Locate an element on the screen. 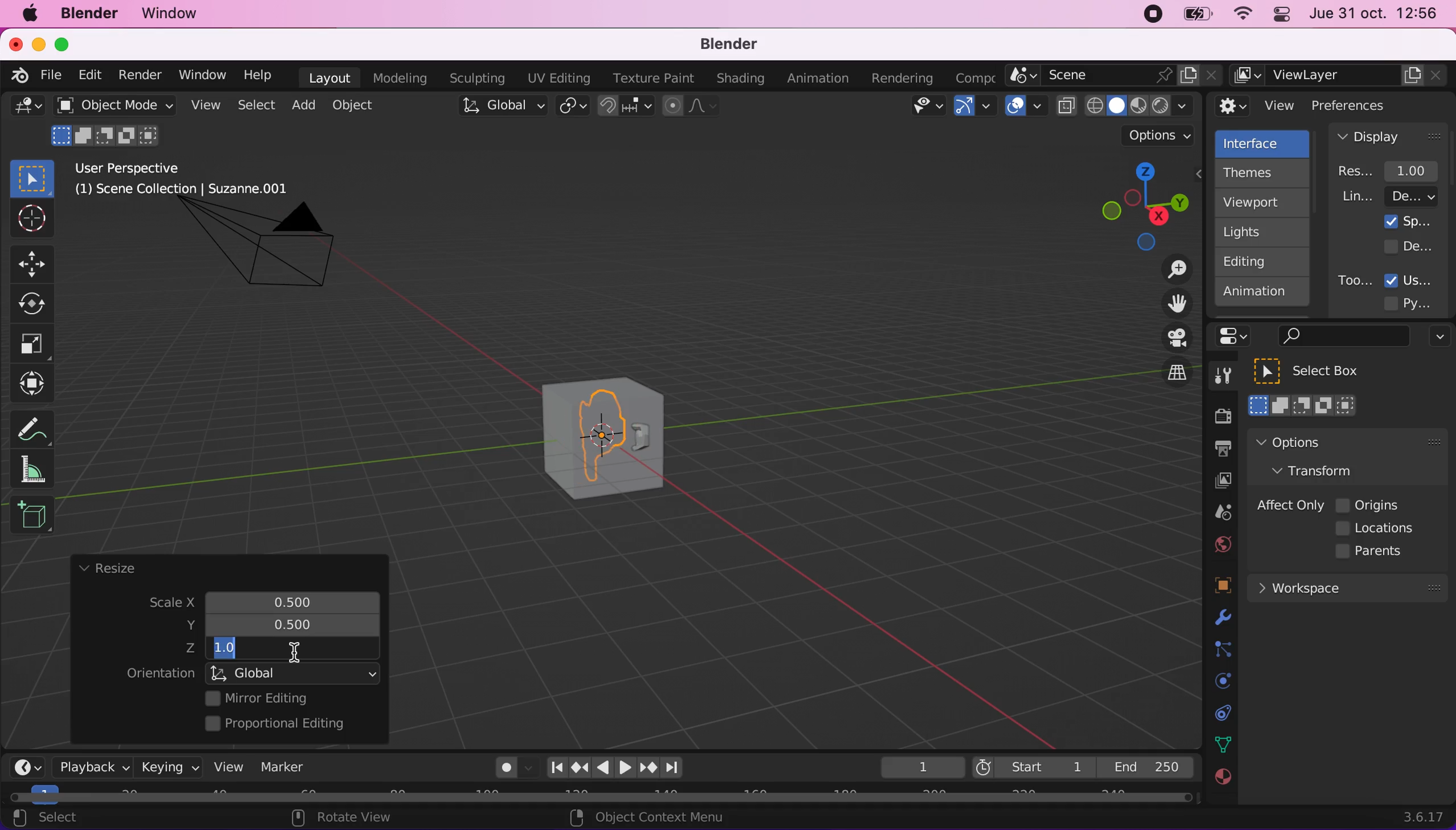 This screenshot has height=830, width=1456. window is located at coordinates (201, 75).